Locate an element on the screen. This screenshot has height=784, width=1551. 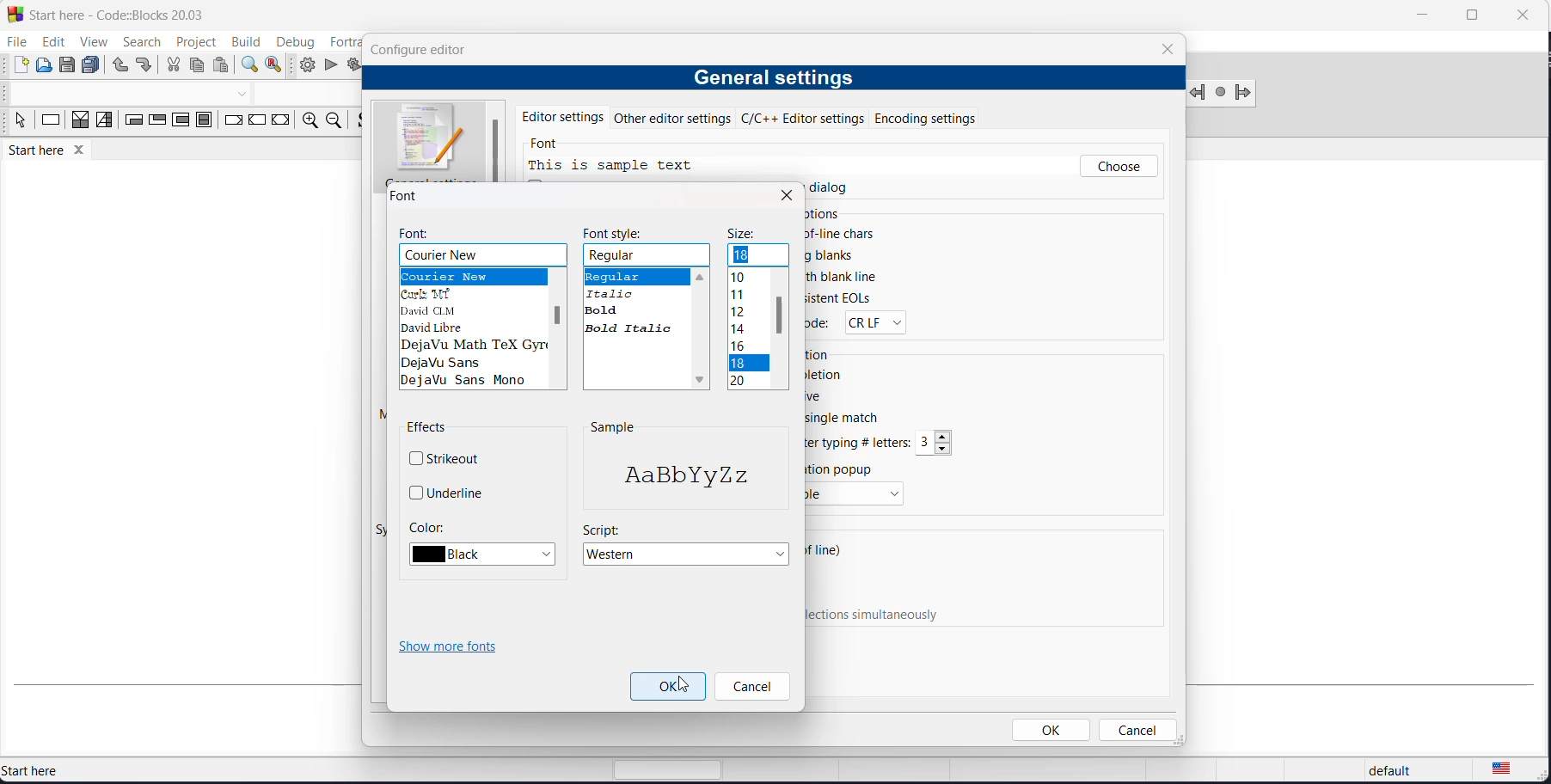
replace is located at coordinates (277, 65).